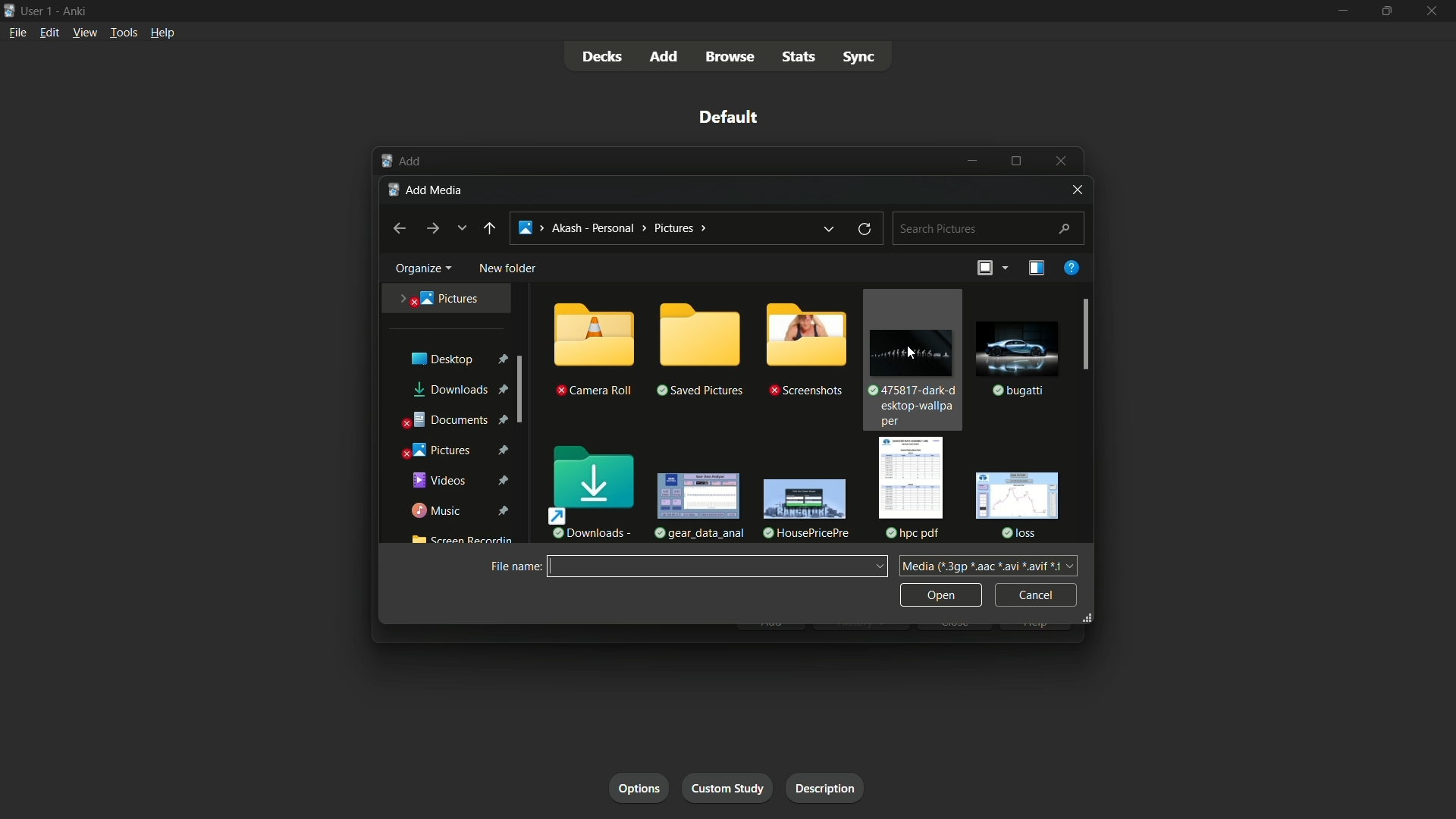  What do you see at coordinates (915, 360) in the screenshot?
I see `file-1` at bounding box center [915, 360].